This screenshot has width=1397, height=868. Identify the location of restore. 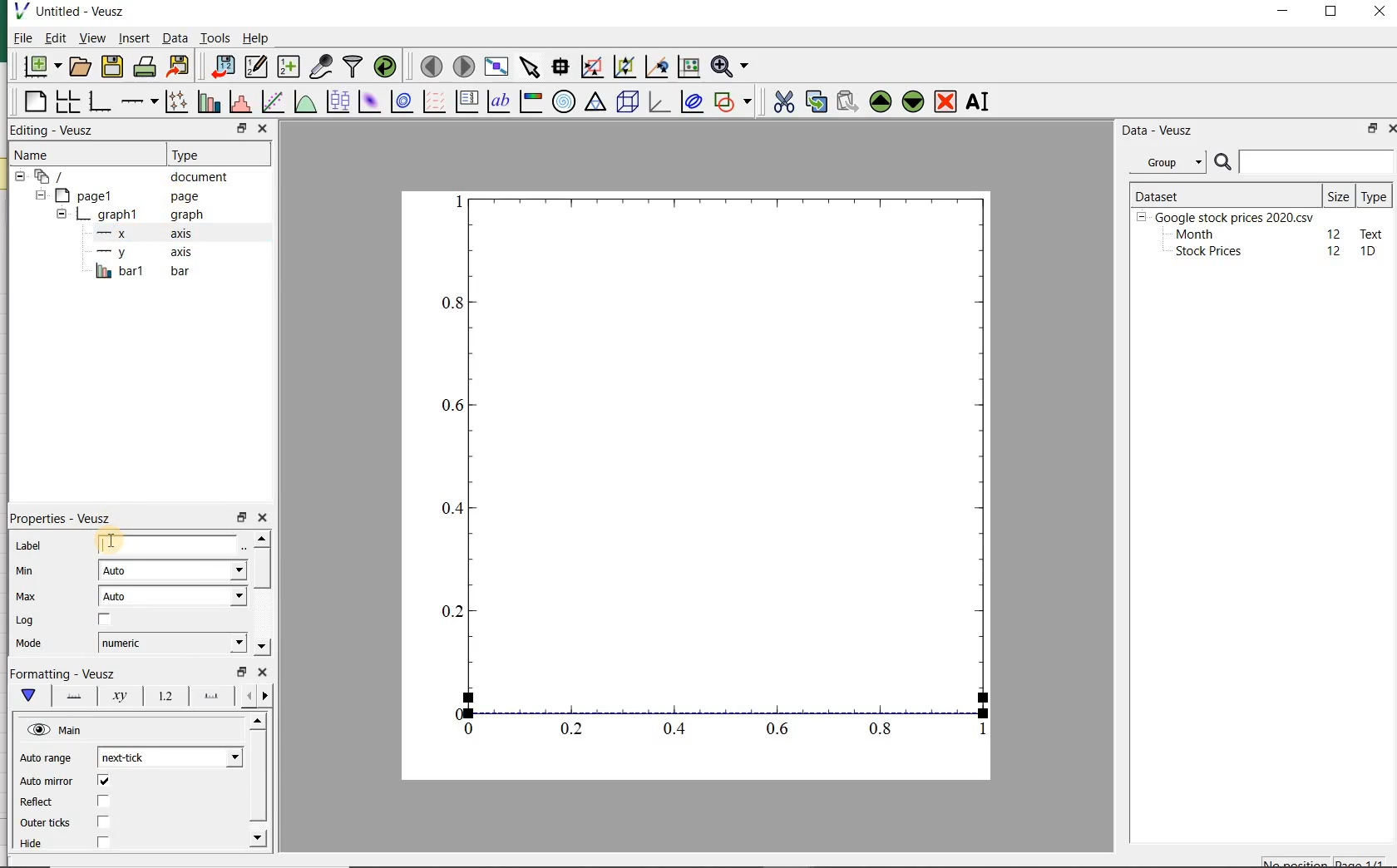
(242, 129).